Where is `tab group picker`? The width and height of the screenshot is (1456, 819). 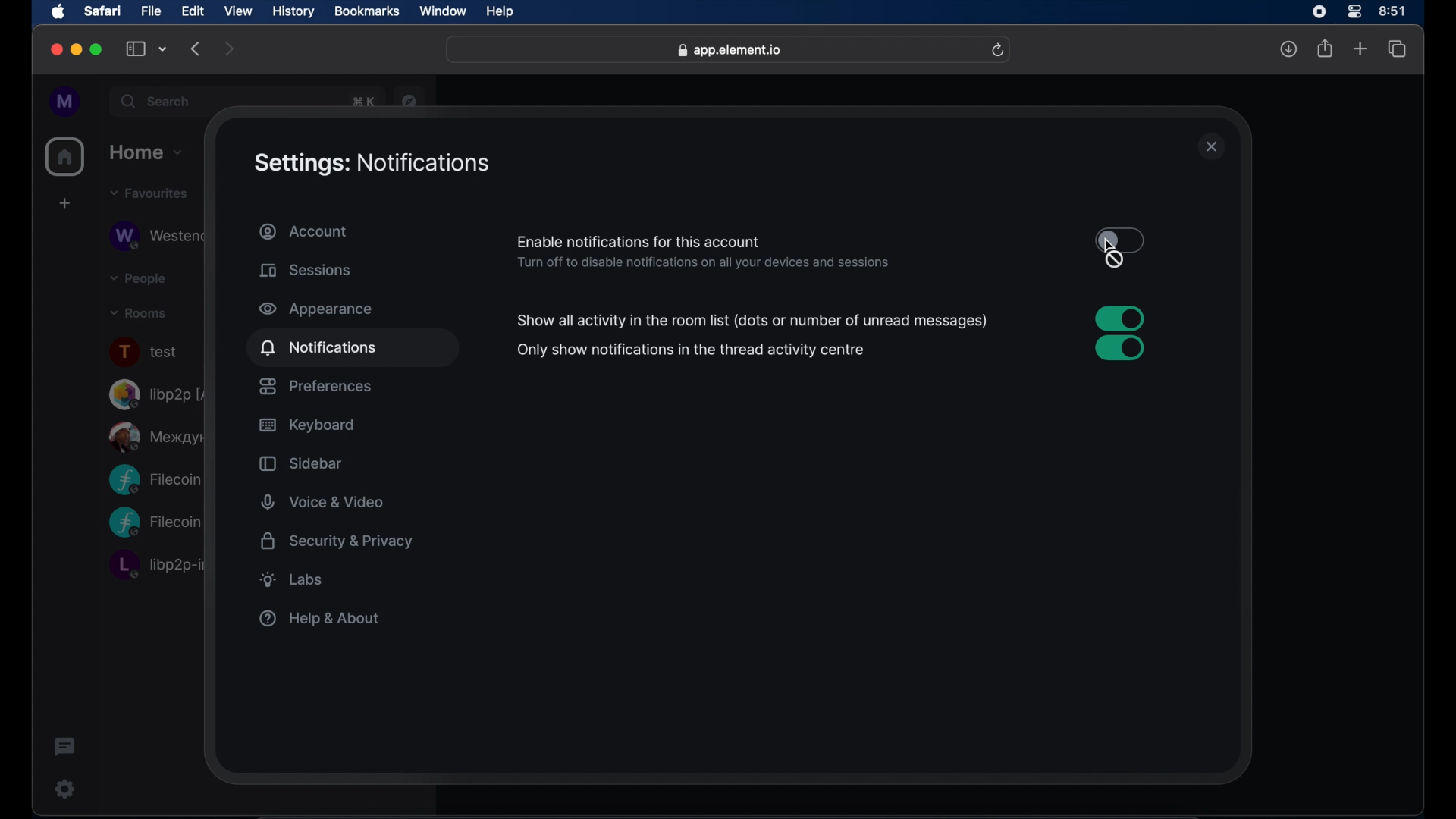
tab group picker is located at coordinates (163, 49).